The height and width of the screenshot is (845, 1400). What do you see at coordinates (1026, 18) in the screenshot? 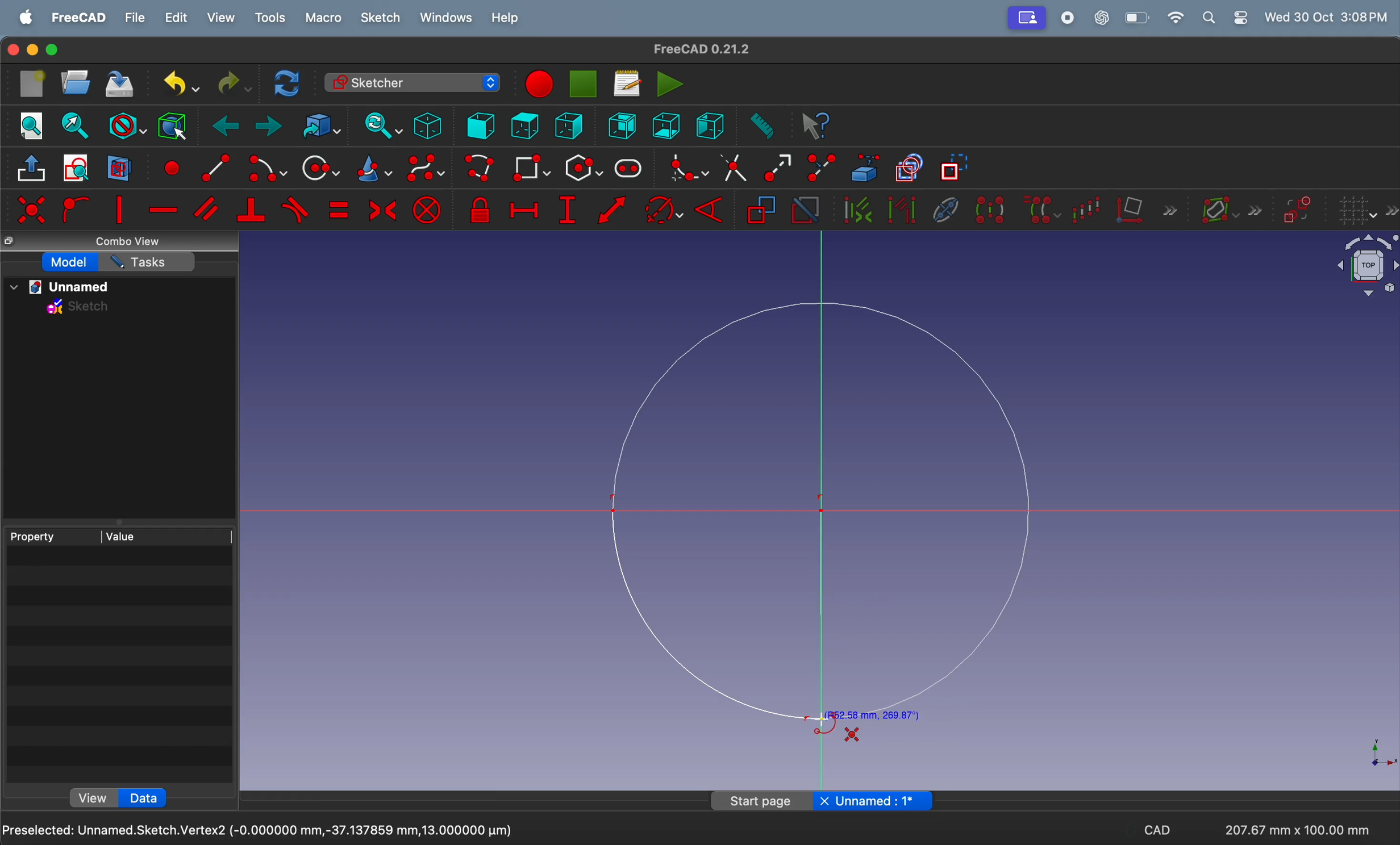
I see `profile` at bounding box center [1026, 18].